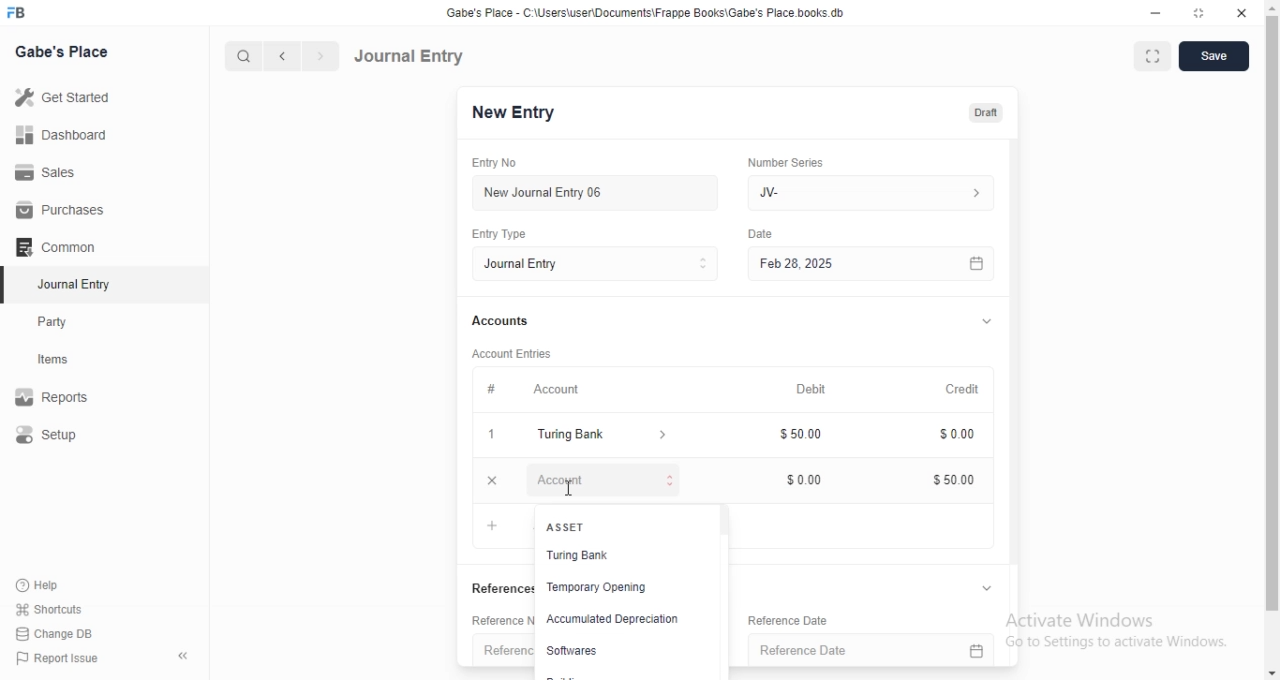  Describe the element at coordinates (857, 651) in the screenshot. I see `Reference Date` at that location.